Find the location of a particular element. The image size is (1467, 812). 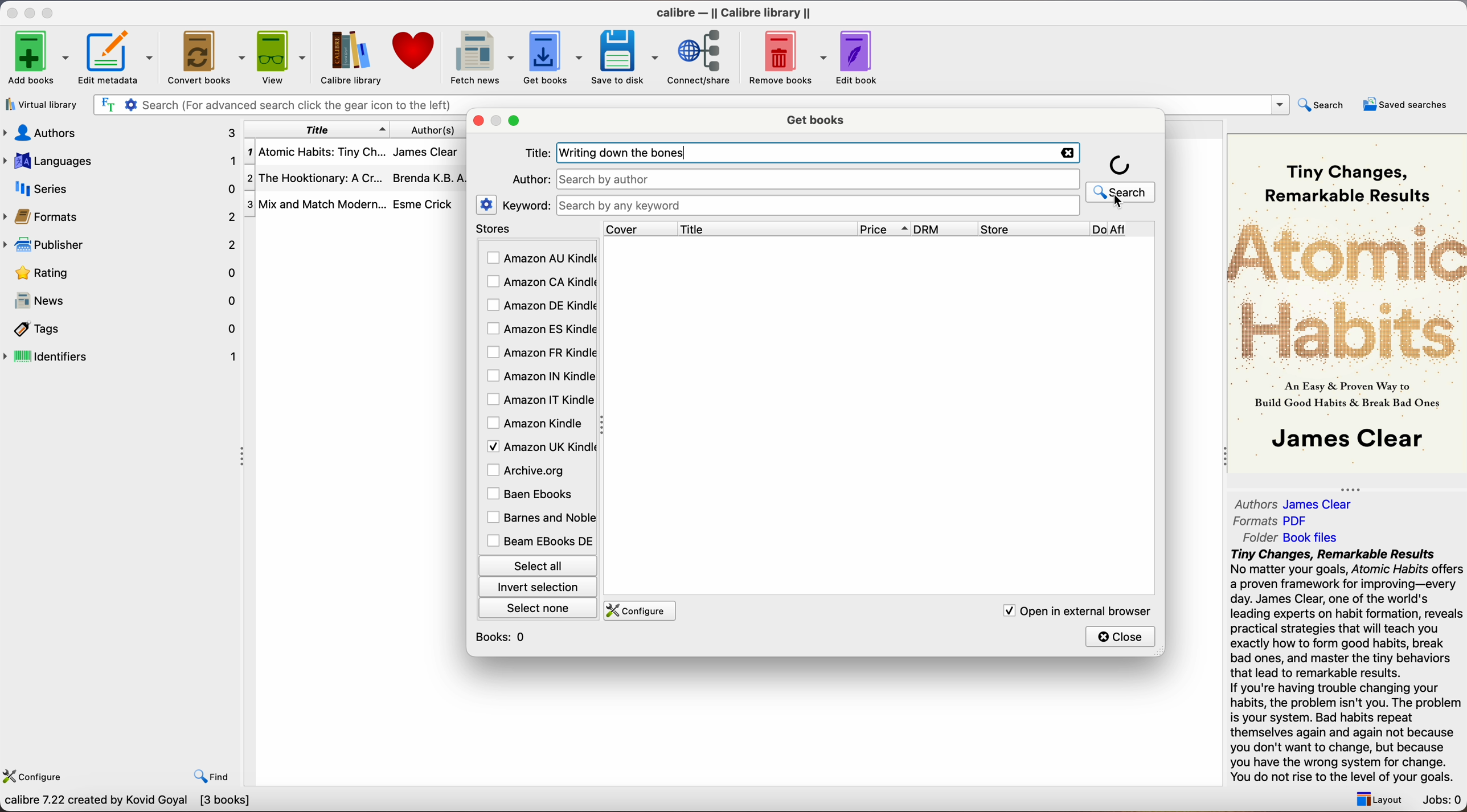

Formats PDF is located at coordinates (1272, 521).